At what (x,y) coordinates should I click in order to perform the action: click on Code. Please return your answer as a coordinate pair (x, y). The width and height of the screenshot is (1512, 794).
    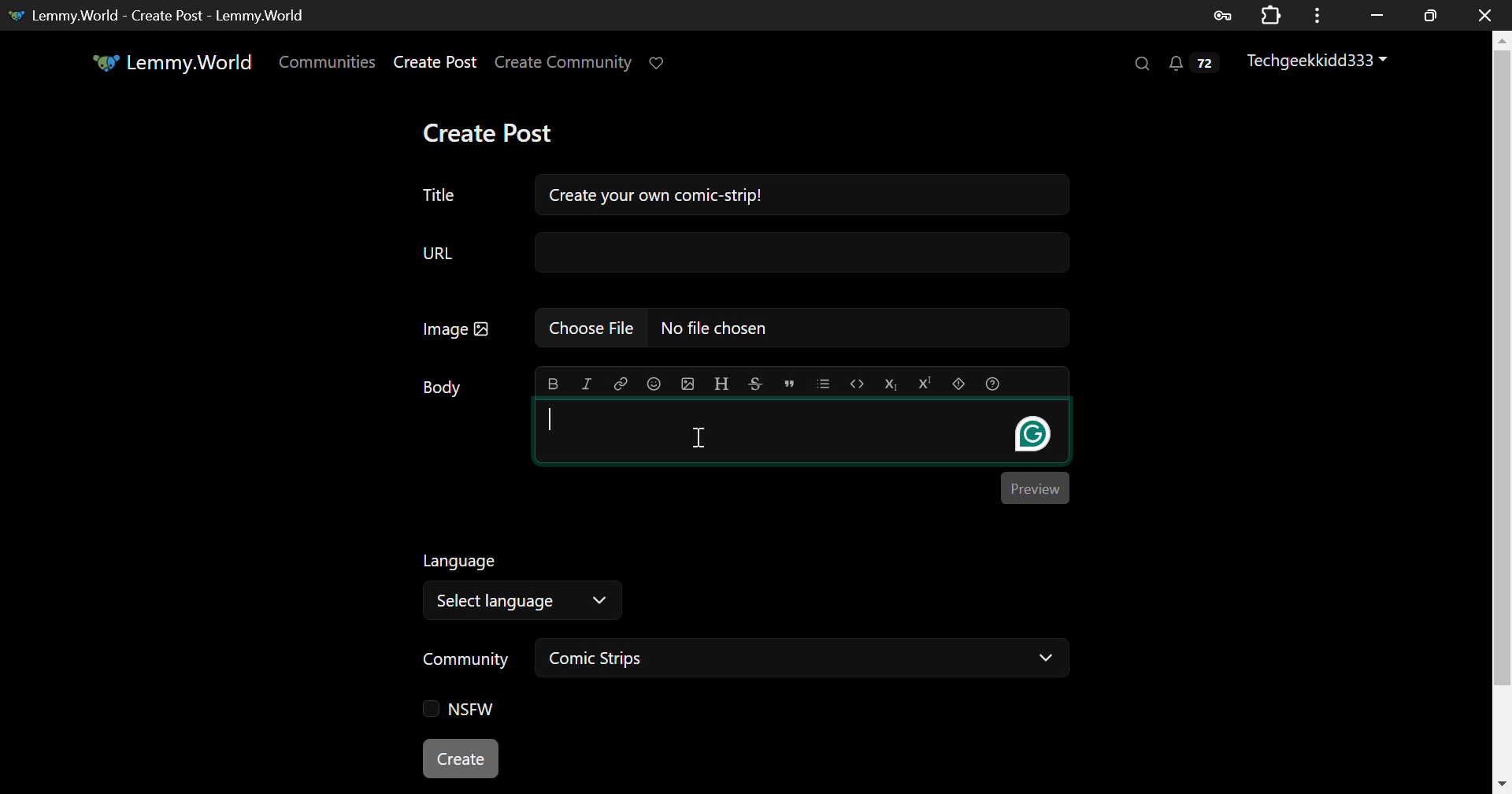
    Looking at the image, I should click on (858, 385).